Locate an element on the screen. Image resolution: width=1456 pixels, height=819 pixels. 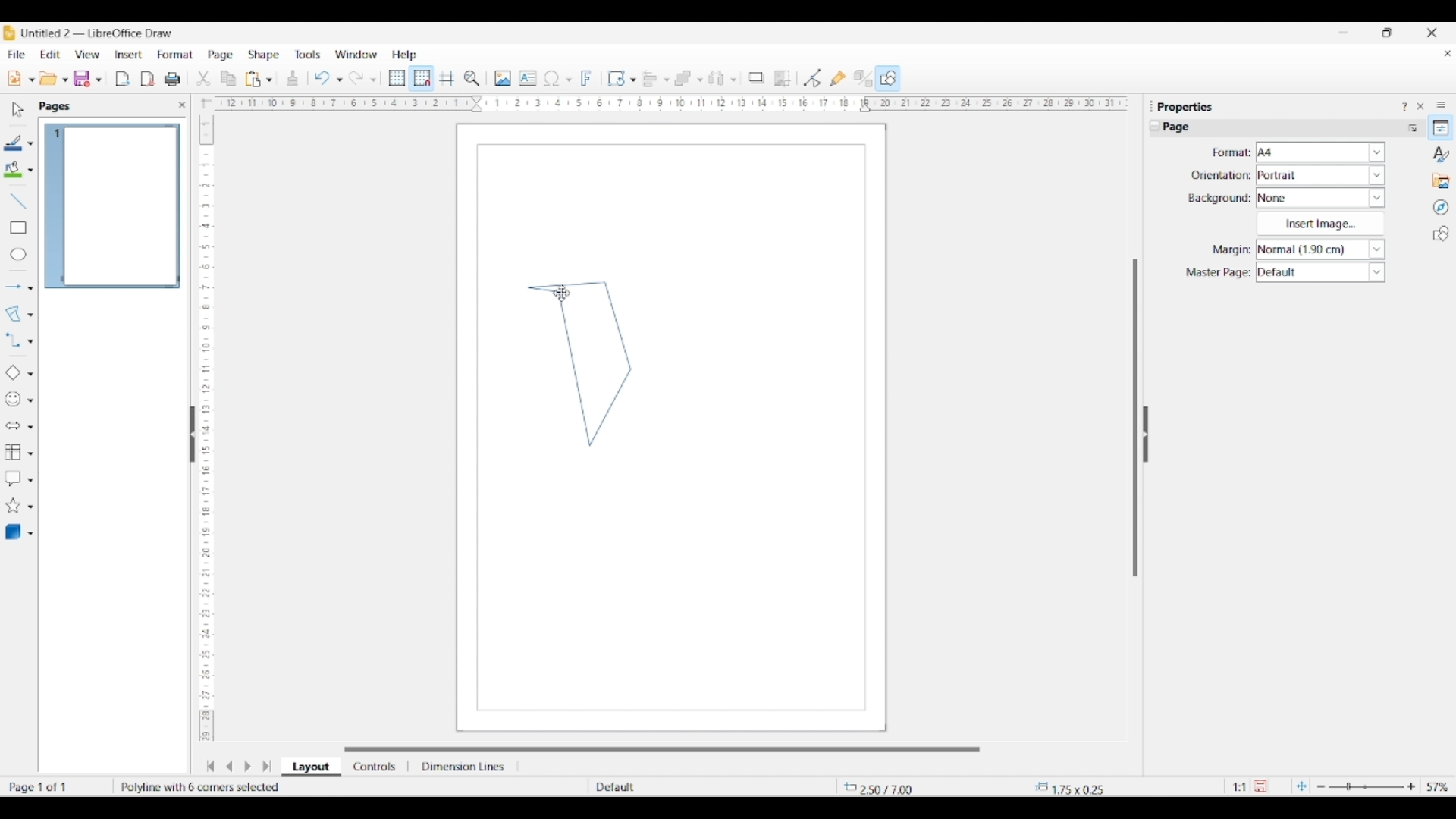
View options is located at coordinates (86, 55).